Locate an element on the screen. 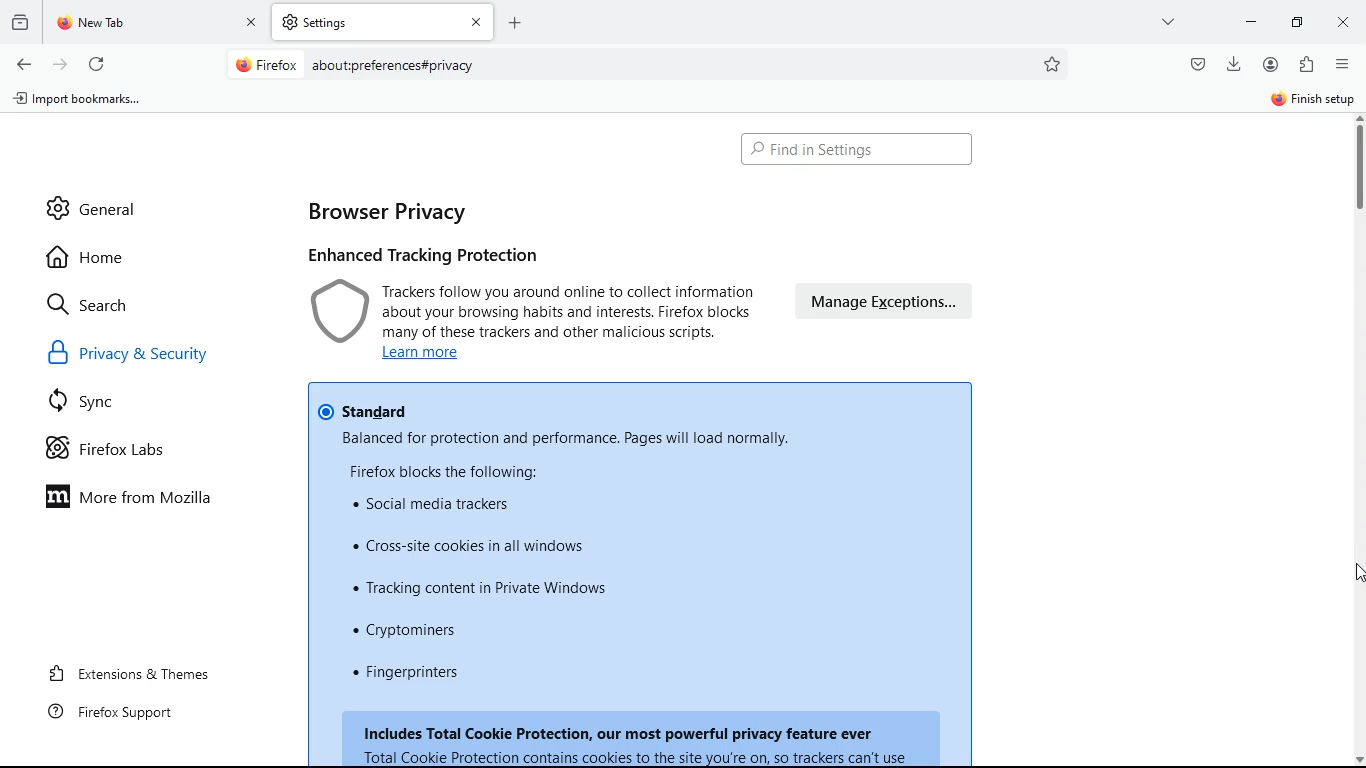 This screenshot has height=768, width=1366. Cursor is located at coordinates (1356, 573).